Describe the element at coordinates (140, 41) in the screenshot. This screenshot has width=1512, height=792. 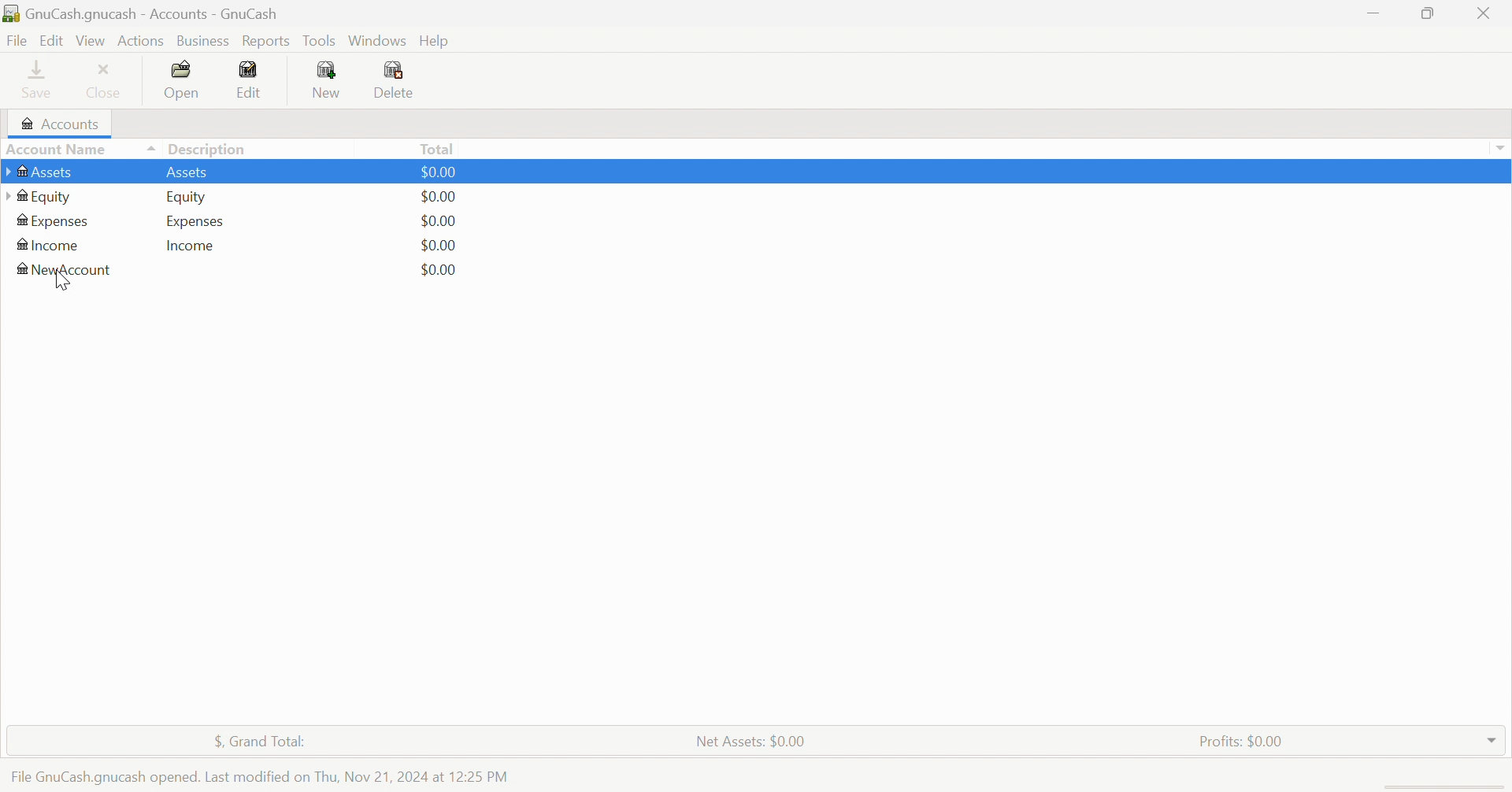
I see `Actions` at that location.